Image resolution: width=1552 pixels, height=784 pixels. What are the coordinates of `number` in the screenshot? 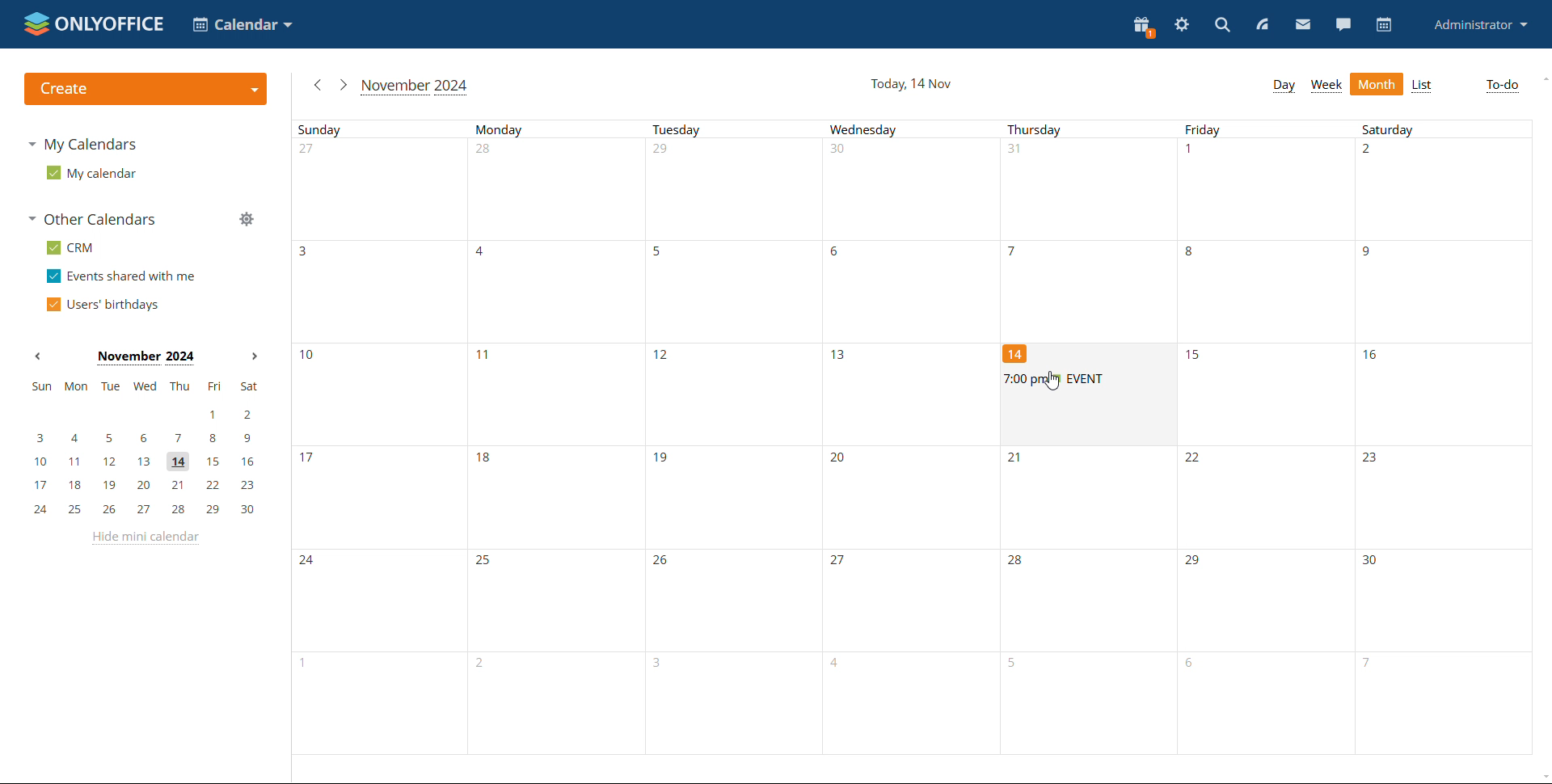 It's located at (1195, 564).